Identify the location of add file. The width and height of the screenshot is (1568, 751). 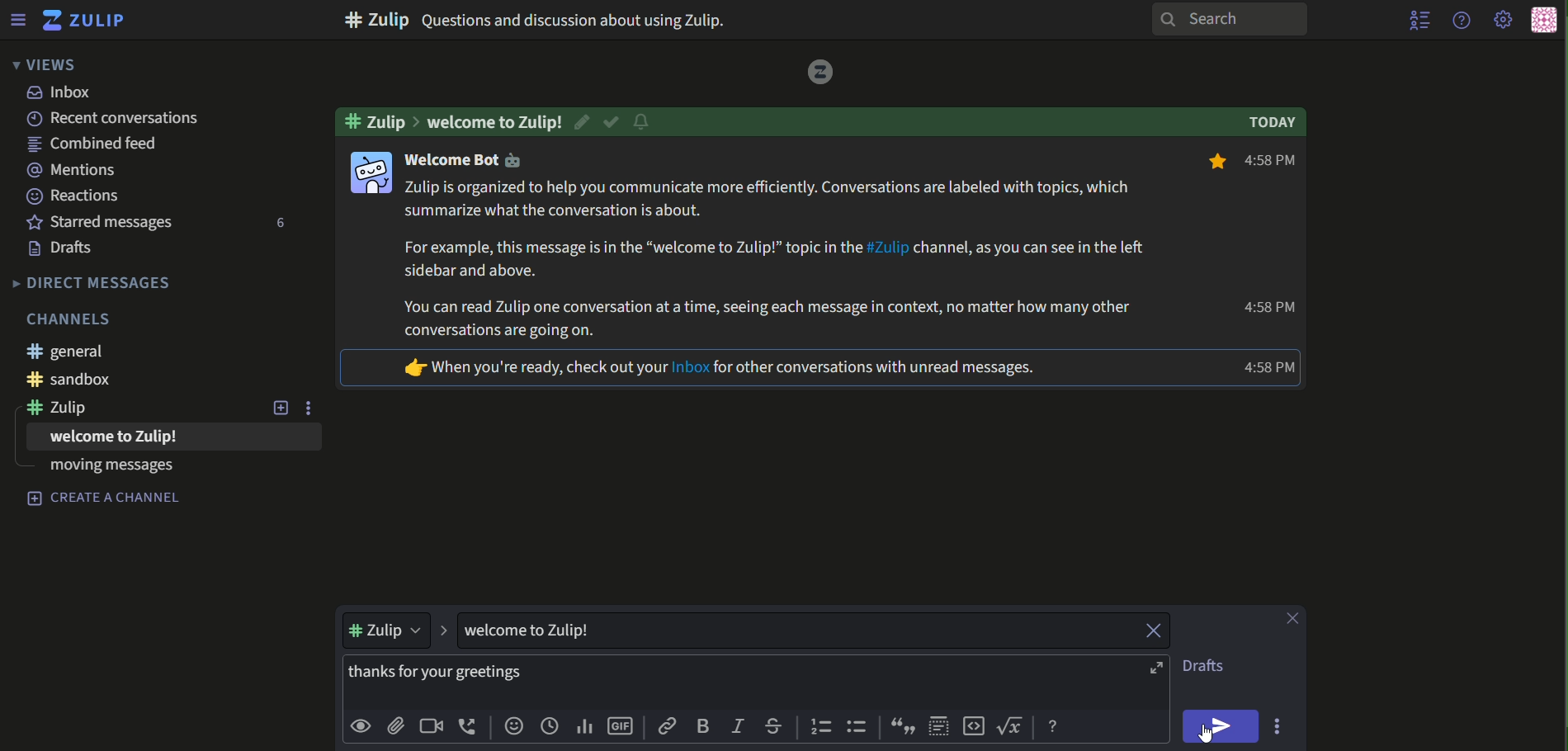
(396, 727).